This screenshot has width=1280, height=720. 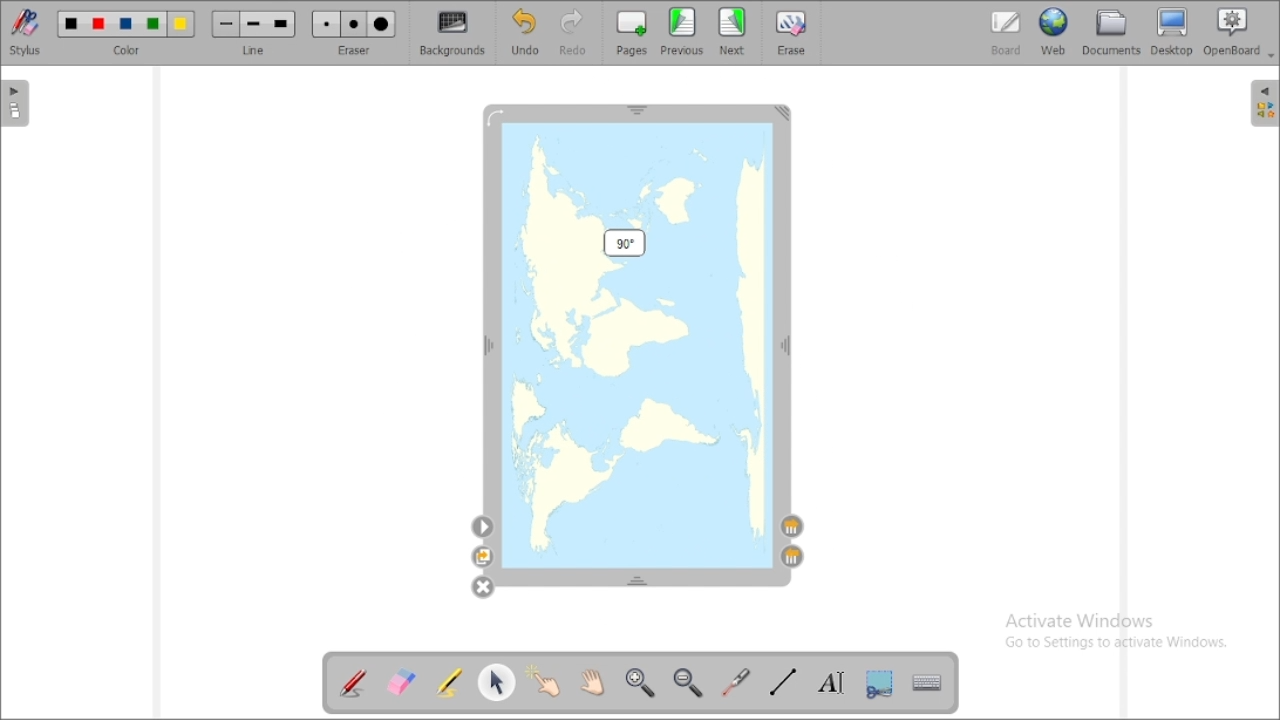 I want to click on web, so click(x=1054, y=32).